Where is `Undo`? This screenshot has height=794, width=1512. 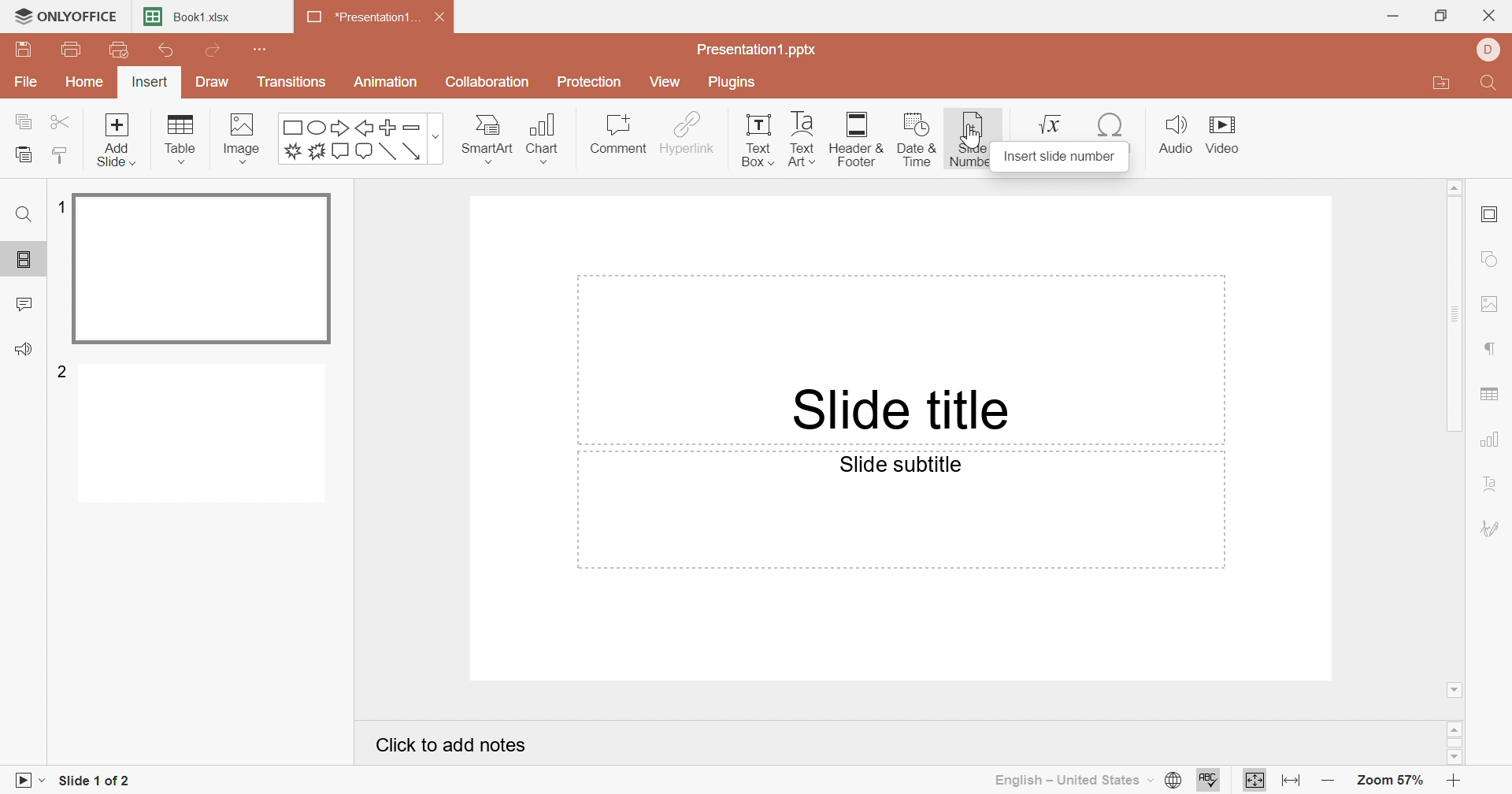
Undo is located at coordinates (166, 54).